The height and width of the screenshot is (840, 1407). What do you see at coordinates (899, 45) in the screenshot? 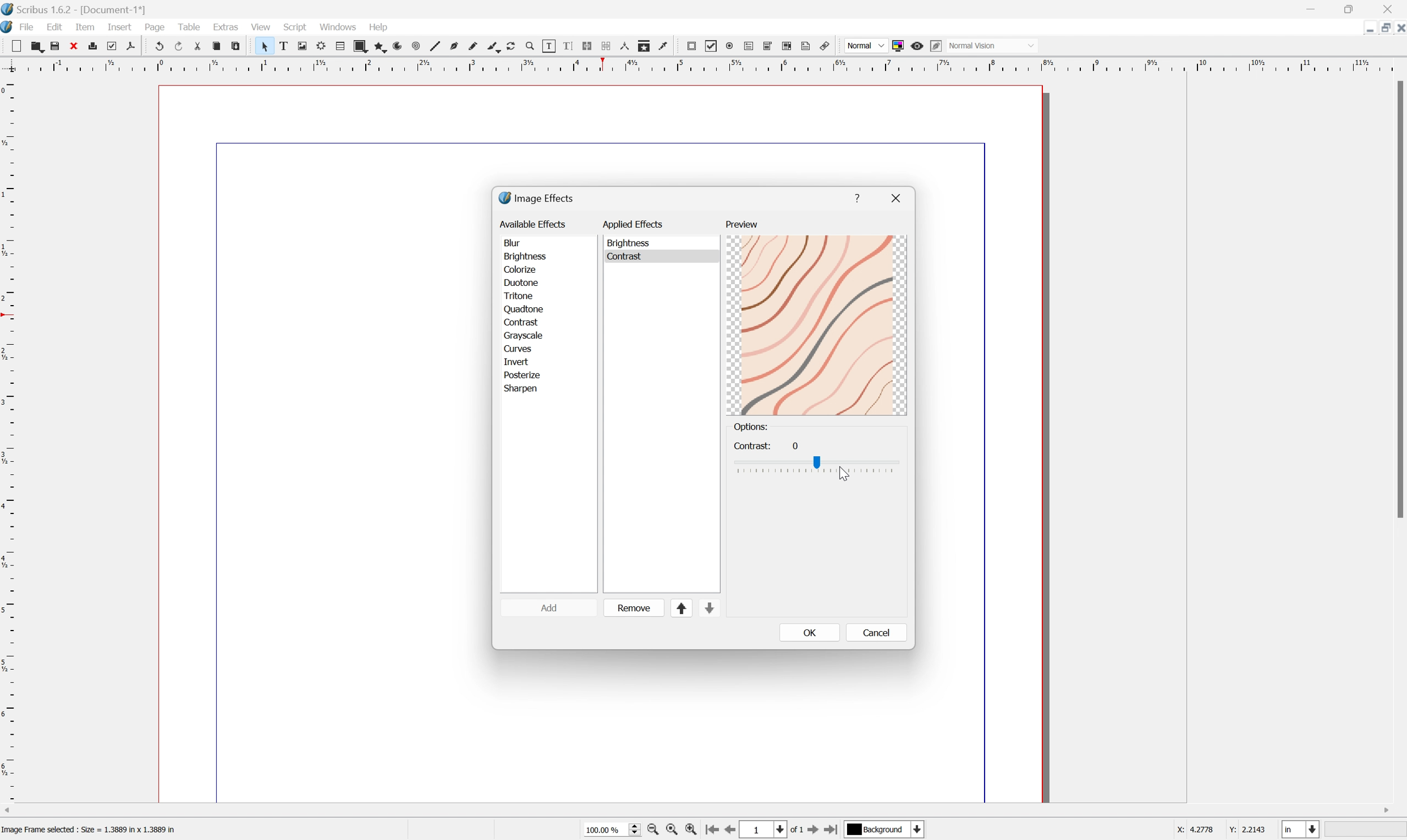
I see `Toggle color management` at bounding box center [899, 45].